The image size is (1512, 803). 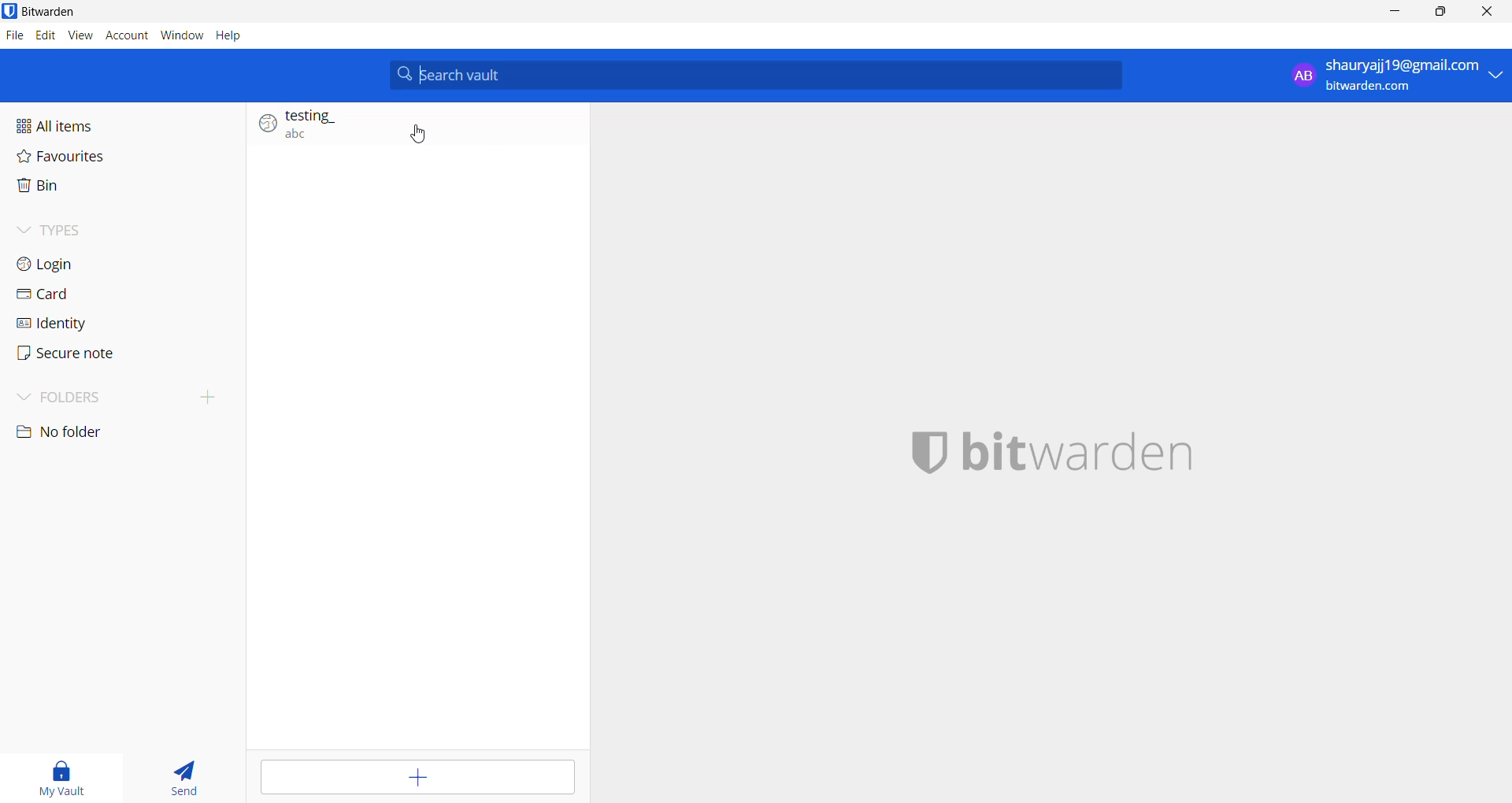 What do you see at coordinates (112, 265) in the screenshot?
I see `Login` at bounding box center [112, 265].